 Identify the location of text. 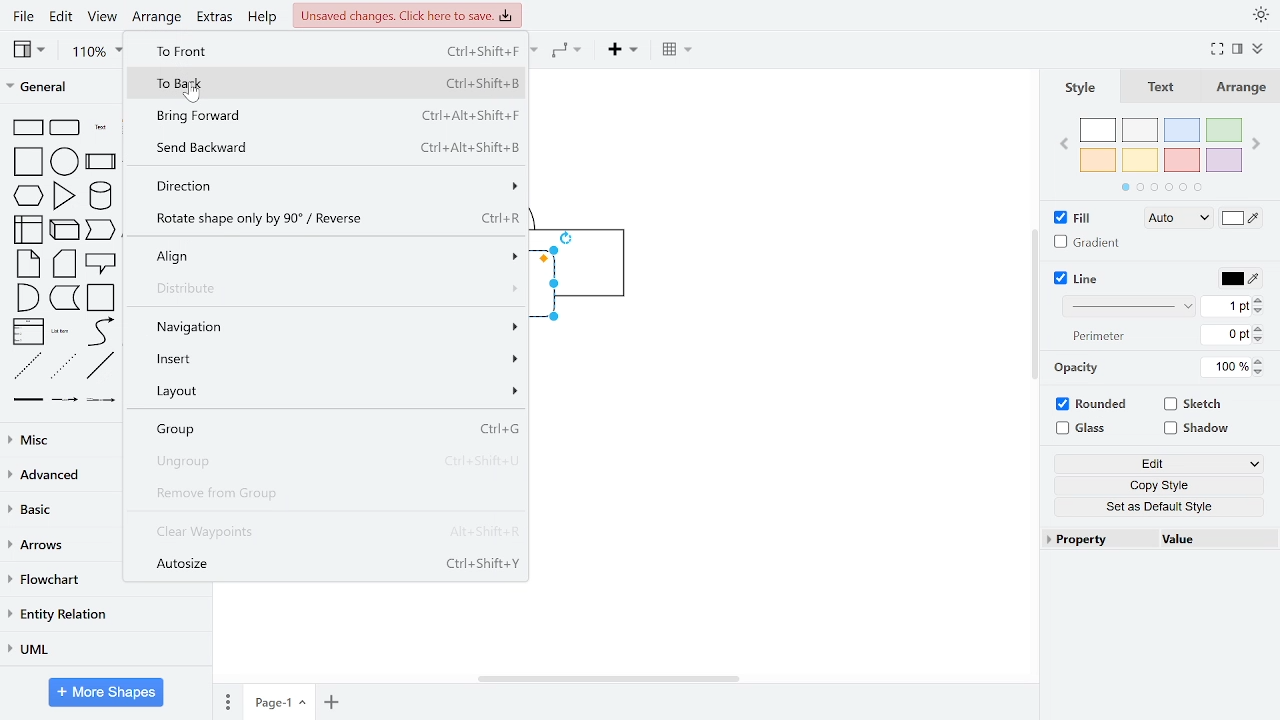
(99, 127).